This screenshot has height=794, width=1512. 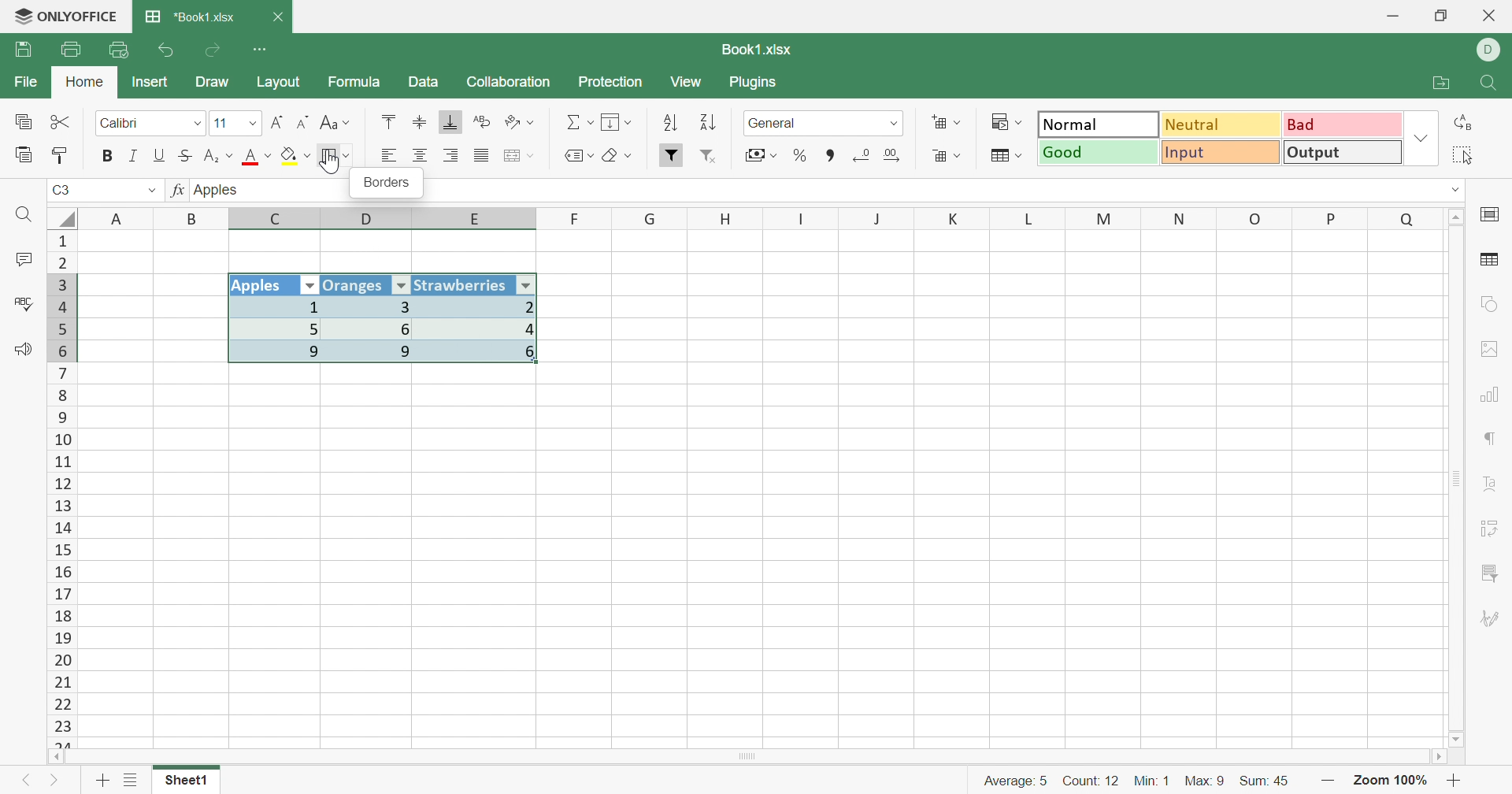 What do you see at coordinates (279, 354) in the screenshot?
I see `9` at bounding box center [279, 354].